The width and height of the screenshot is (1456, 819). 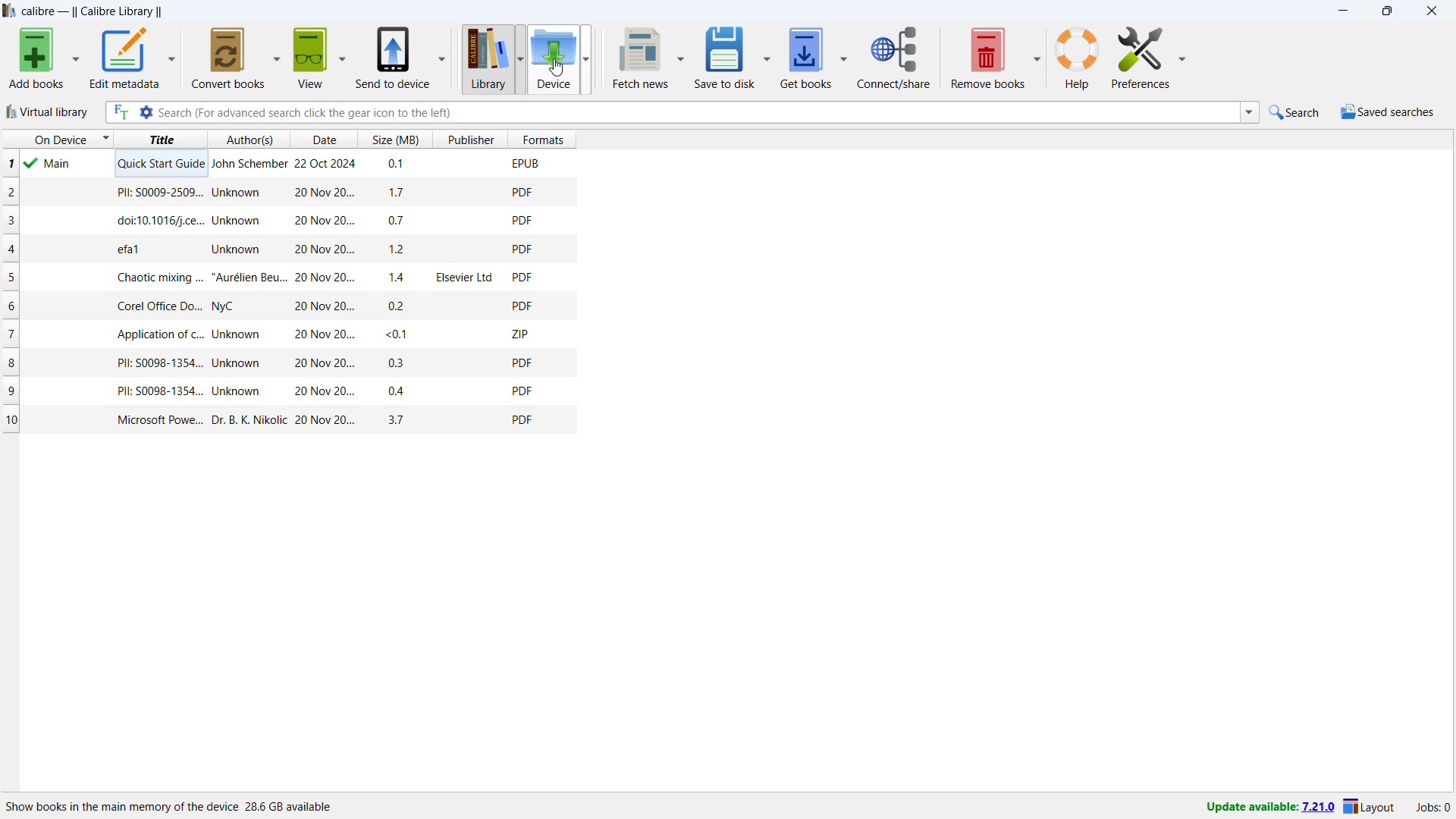 What do you see at coordinates (557, 67) in the screenshot?
I see `cursor` at bounding box center [557, 67].